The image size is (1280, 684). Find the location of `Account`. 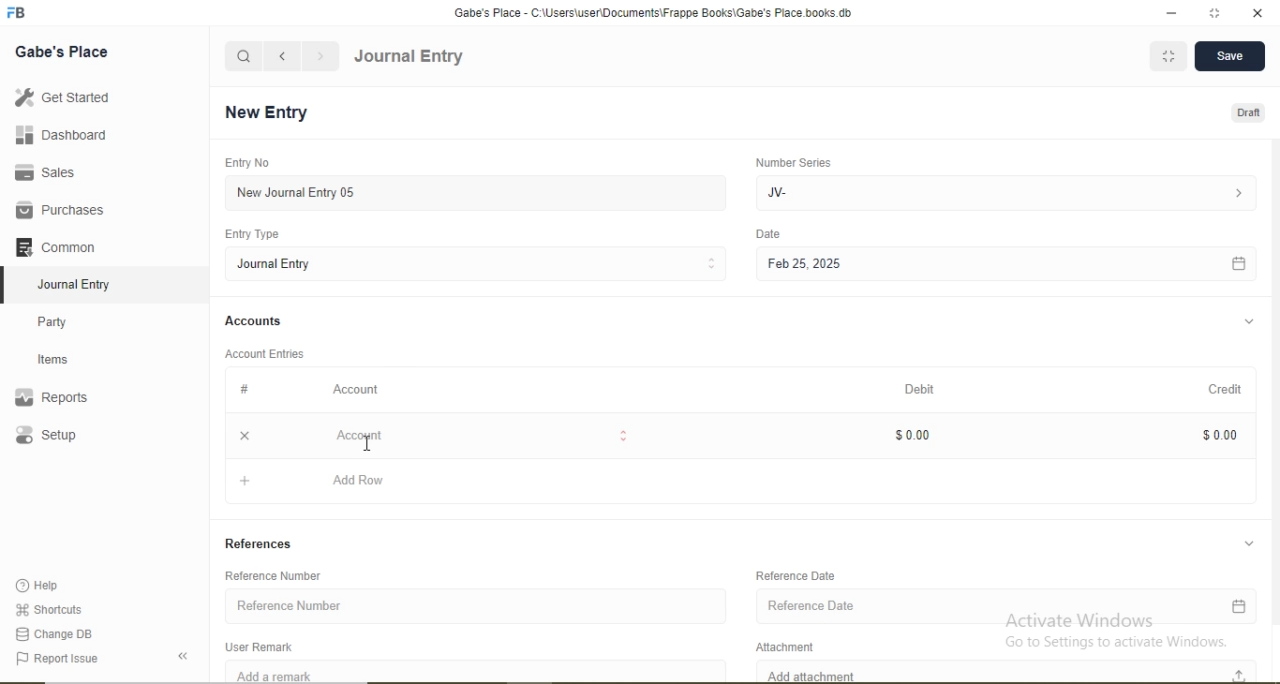

Account is located at coordinates (357, 389).